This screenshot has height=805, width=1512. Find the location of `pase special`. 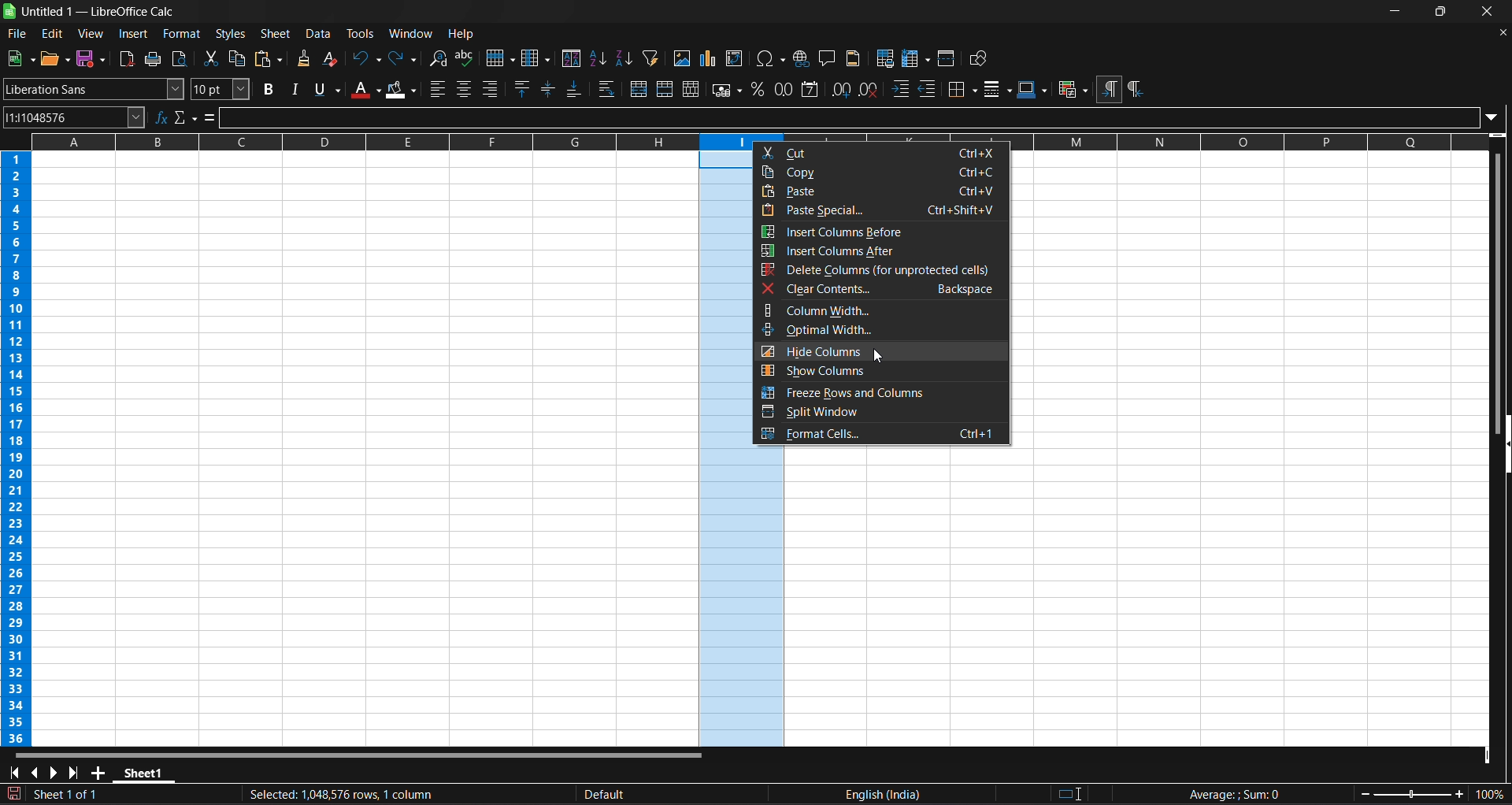

pase special is located at coordinates (880, 210).